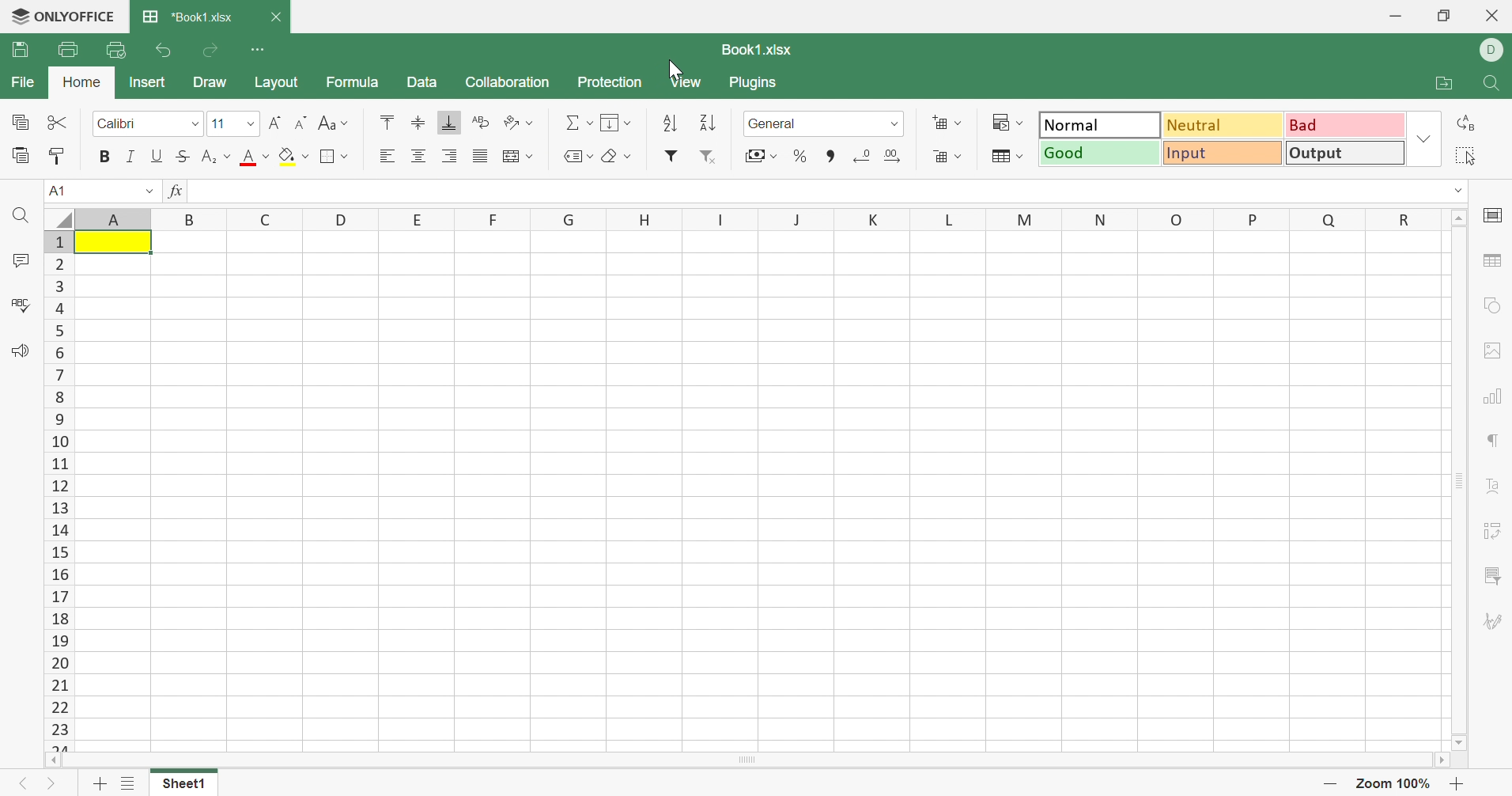  Describe the element at coordinates (67, 47) in the screenshot. I see `Print` at that location.